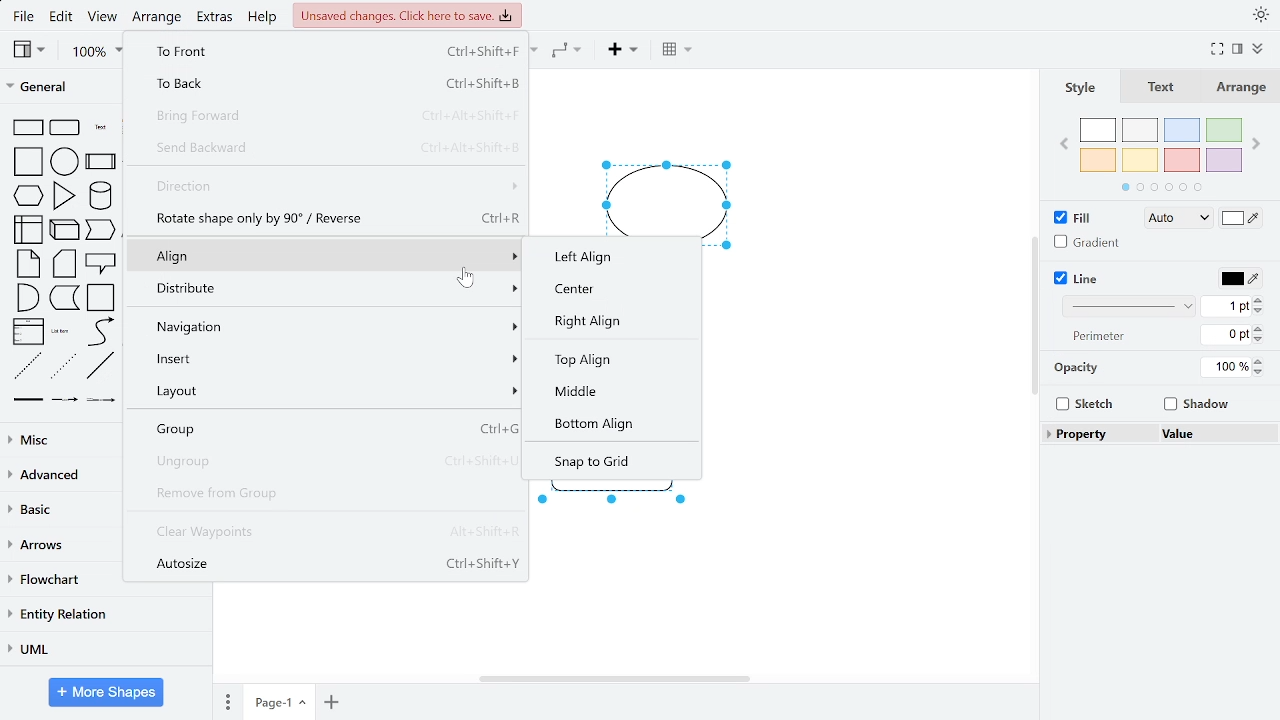 This screenshot has height=720, width=1280. Describe the element at coordinates (64, 299) in the screenshot. I see `step` at that location.